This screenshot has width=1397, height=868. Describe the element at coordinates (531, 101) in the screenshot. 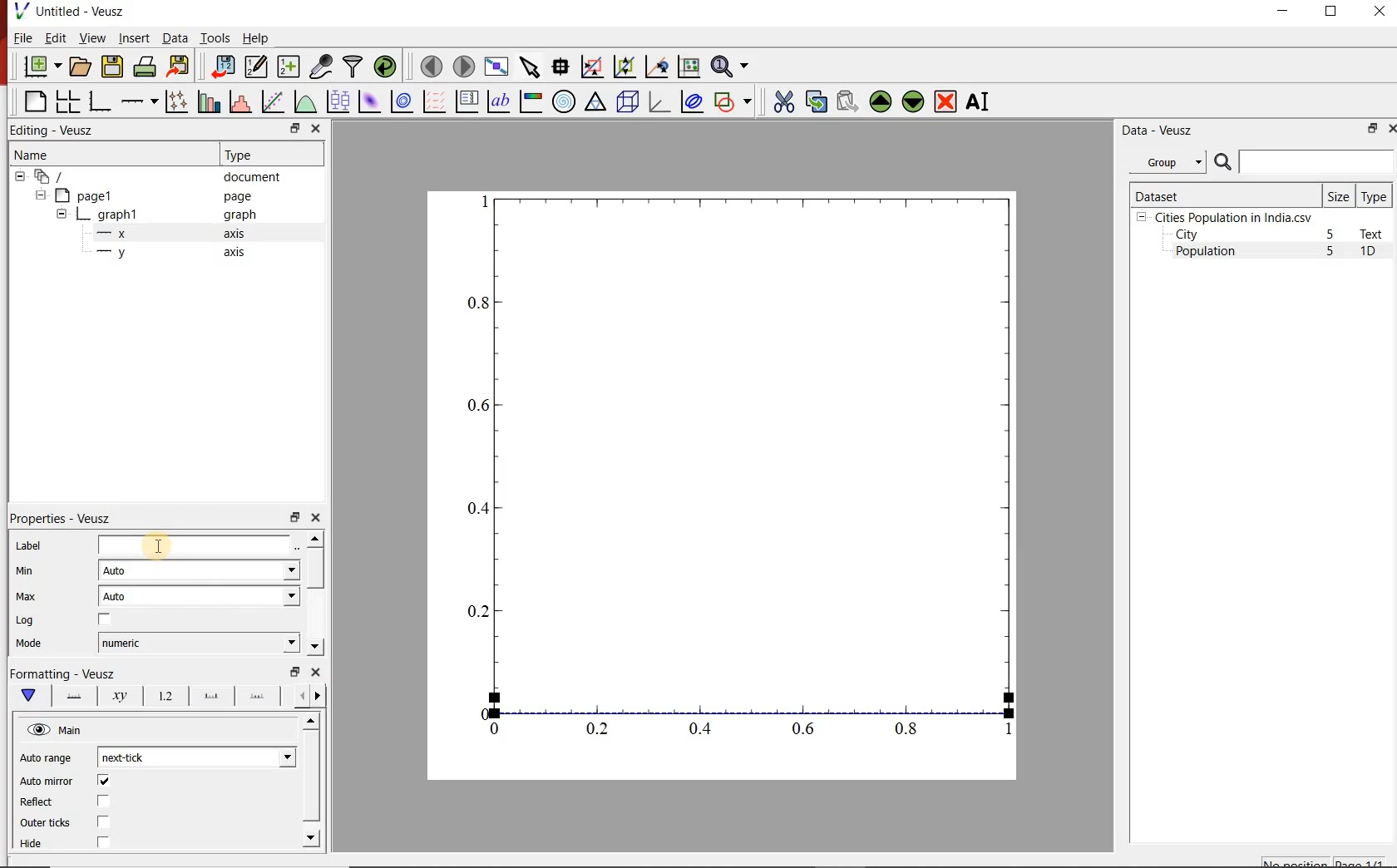

I see `image color bar` at that location.